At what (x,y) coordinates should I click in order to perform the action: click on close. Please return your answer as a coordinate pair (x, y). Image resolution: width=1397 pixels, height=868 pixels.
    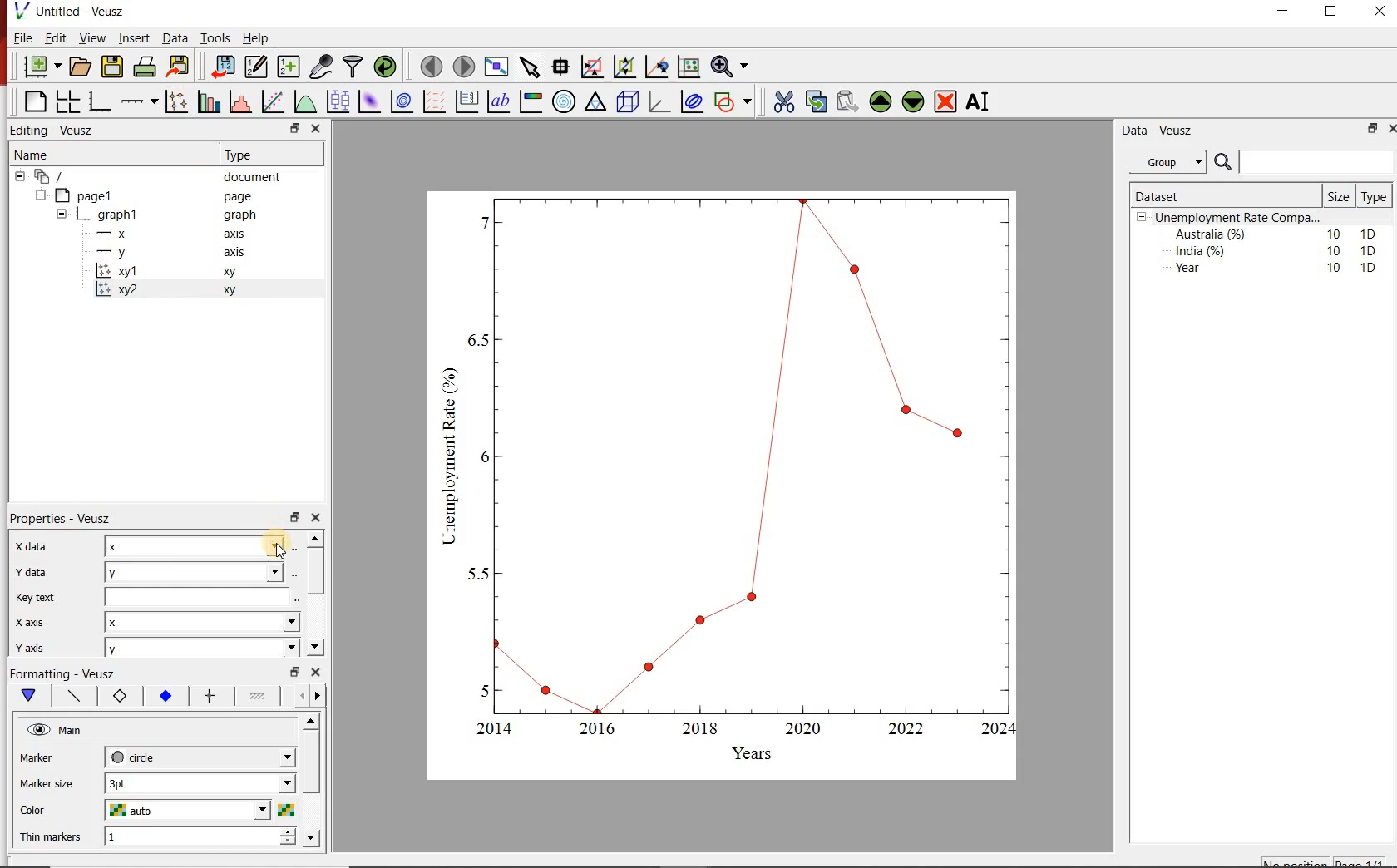
    Looking at the image, I should click on (1378, 15).